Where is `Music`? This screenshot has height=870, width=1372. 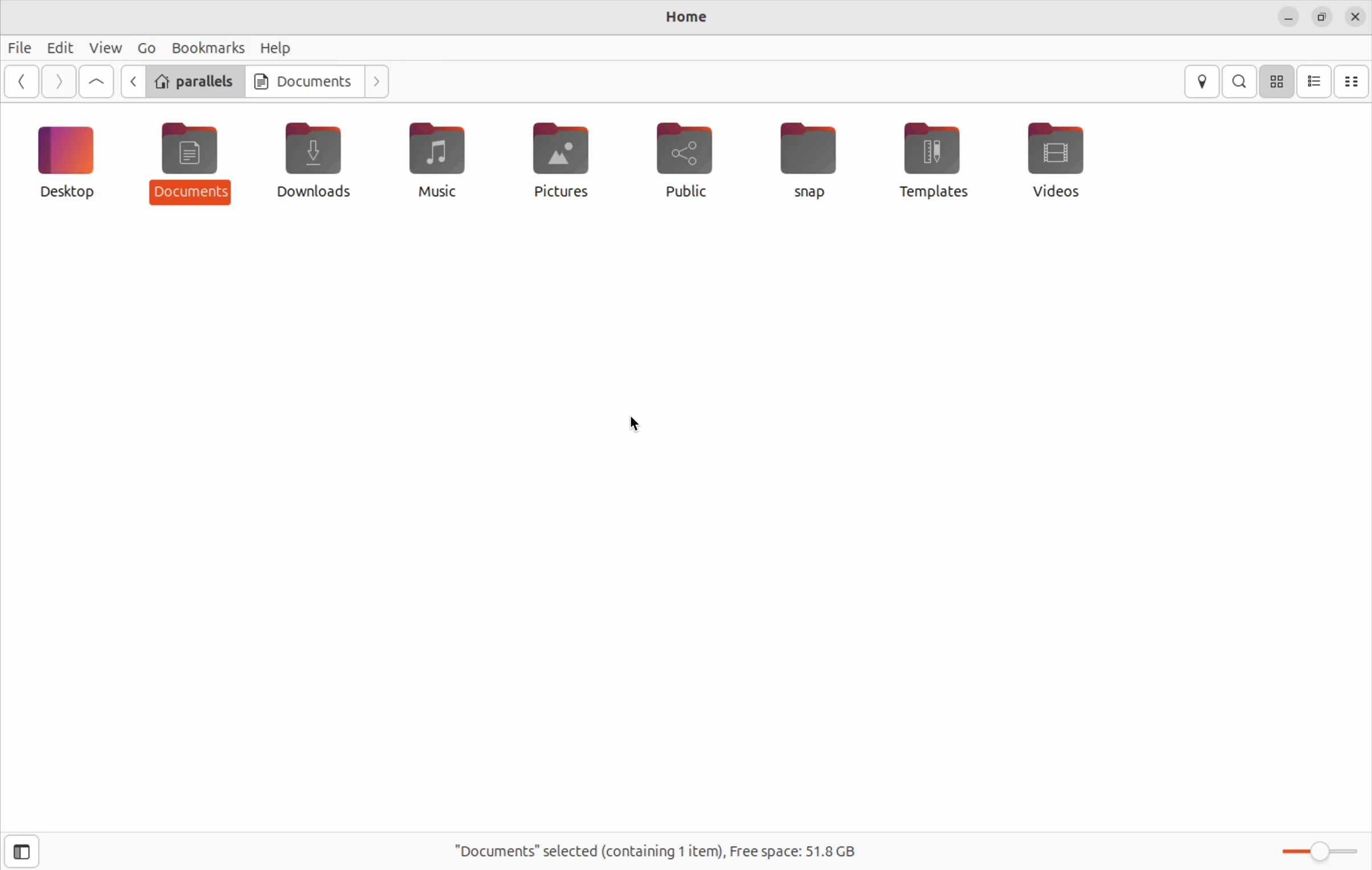
Music is located at coordinates (434, 165).